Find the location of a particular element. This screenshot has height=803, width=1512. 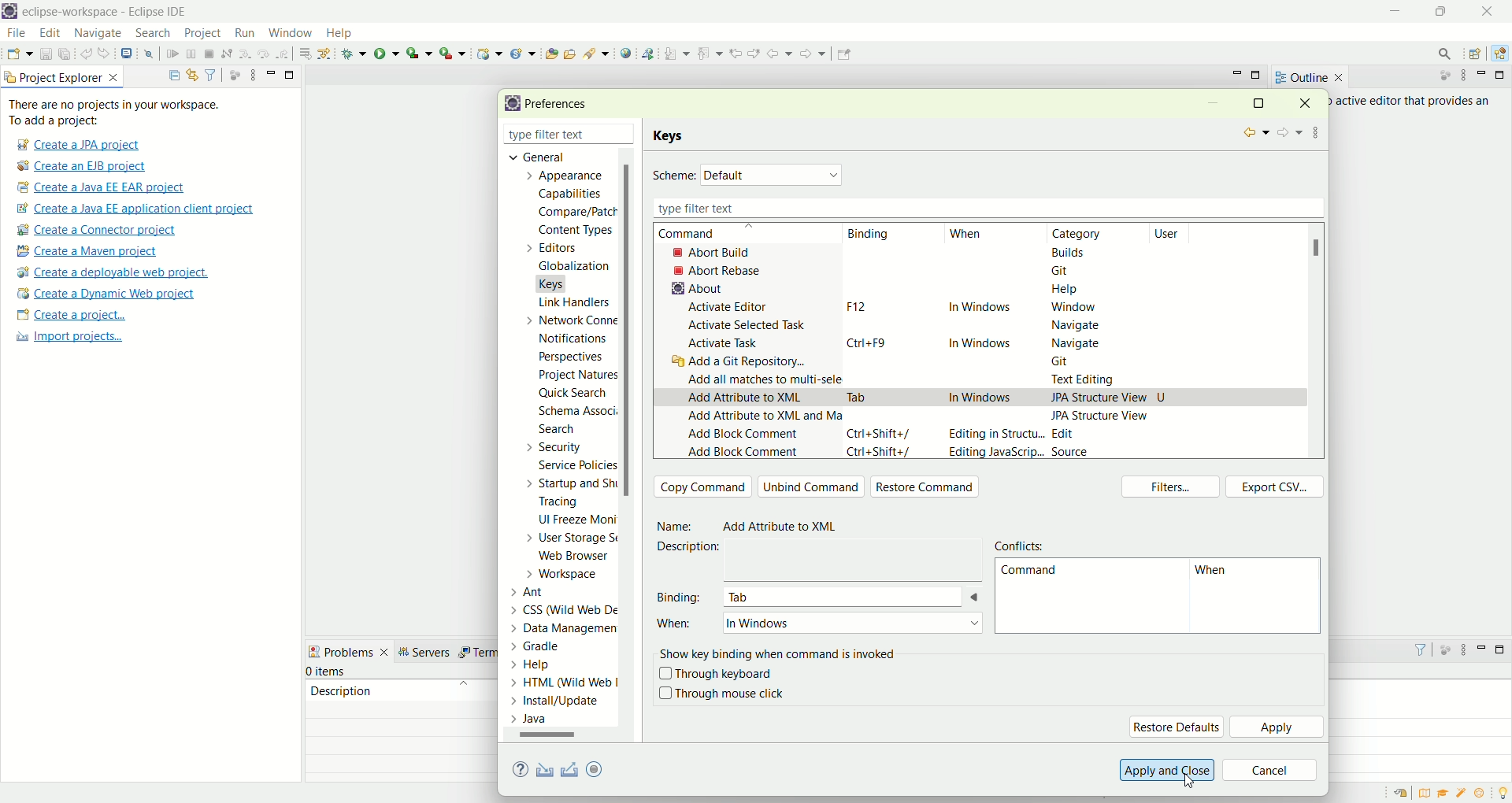

import projects is located at coordinates (67, 337).